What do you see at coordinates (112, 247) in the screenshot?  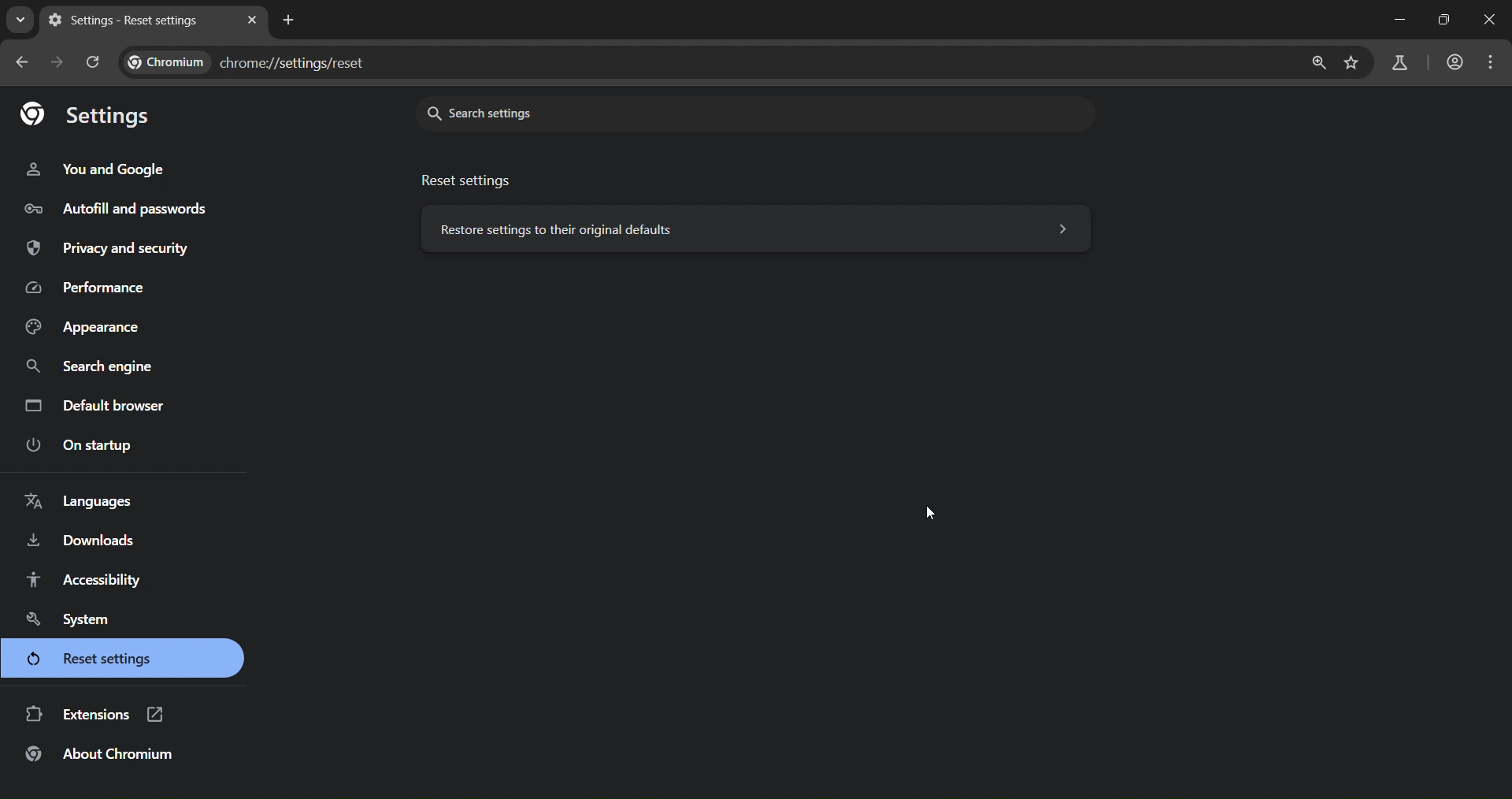 I see `privacy and security` at bounding box center [112, 247].